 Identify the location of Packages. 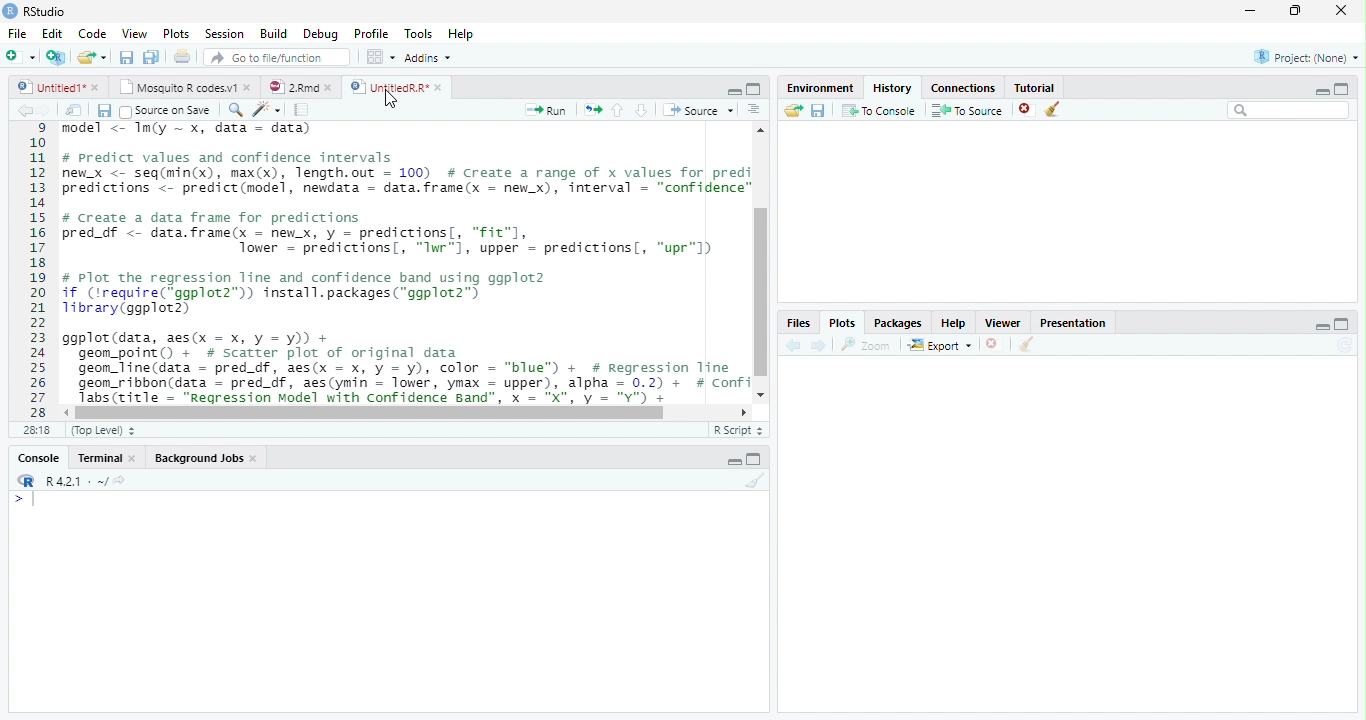
(896, 320).